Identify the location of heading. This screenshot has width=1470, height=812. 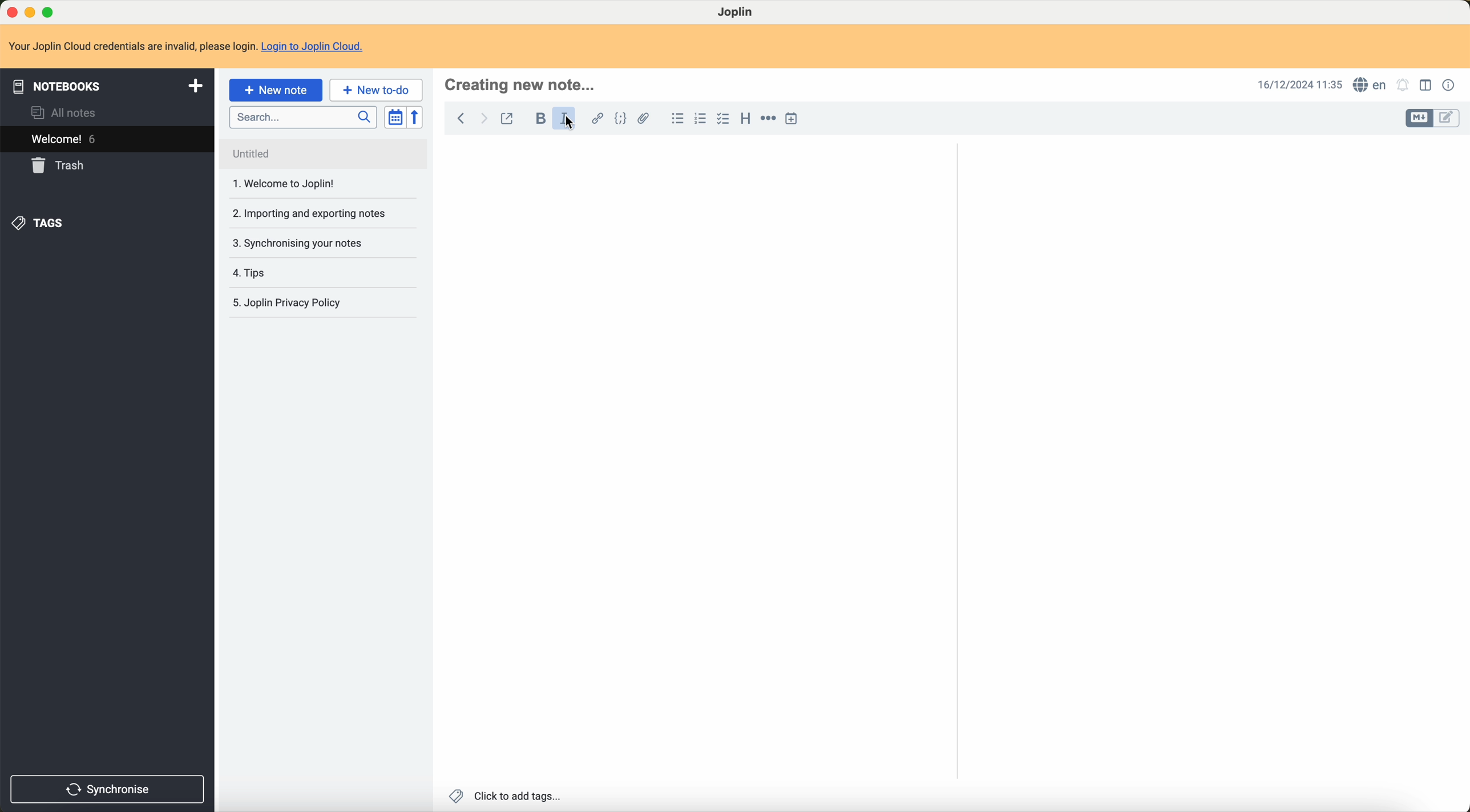
(743, 119).